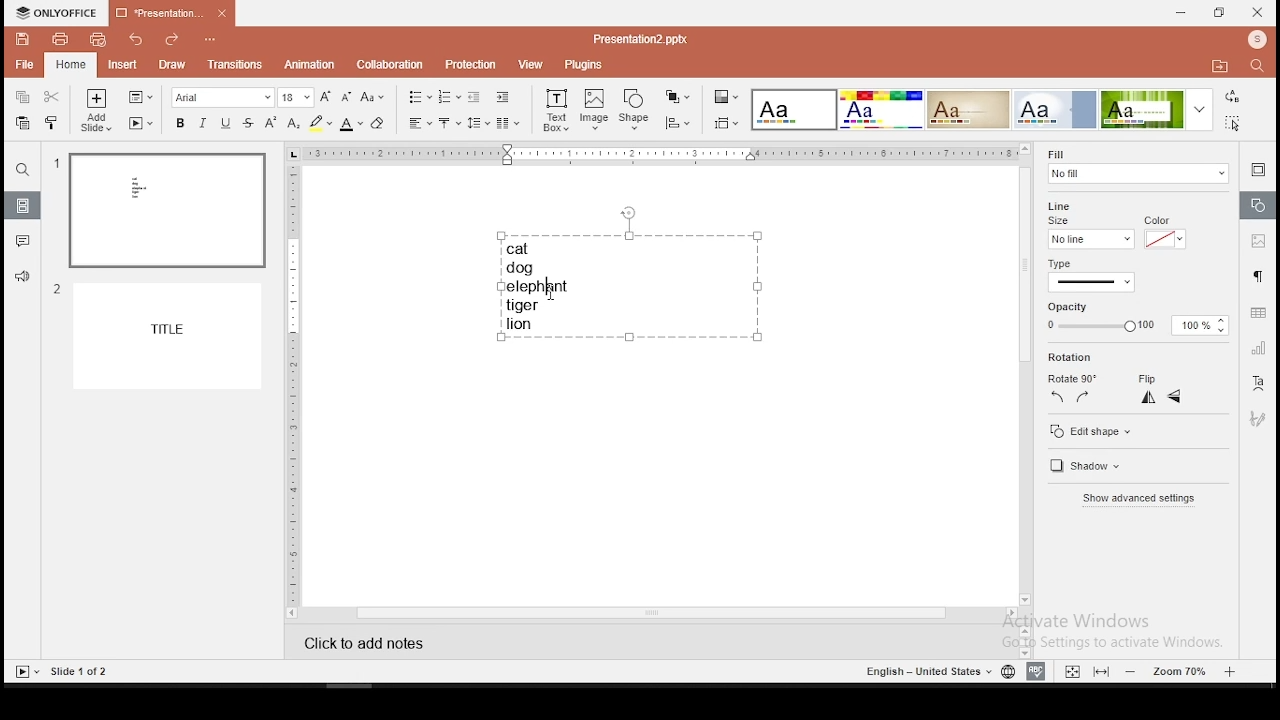 This screenshot has width=1280, height=720. What do you see at coordinates (23, 40) in the screenshot?
I see `save` at bounding box center [23, 40].